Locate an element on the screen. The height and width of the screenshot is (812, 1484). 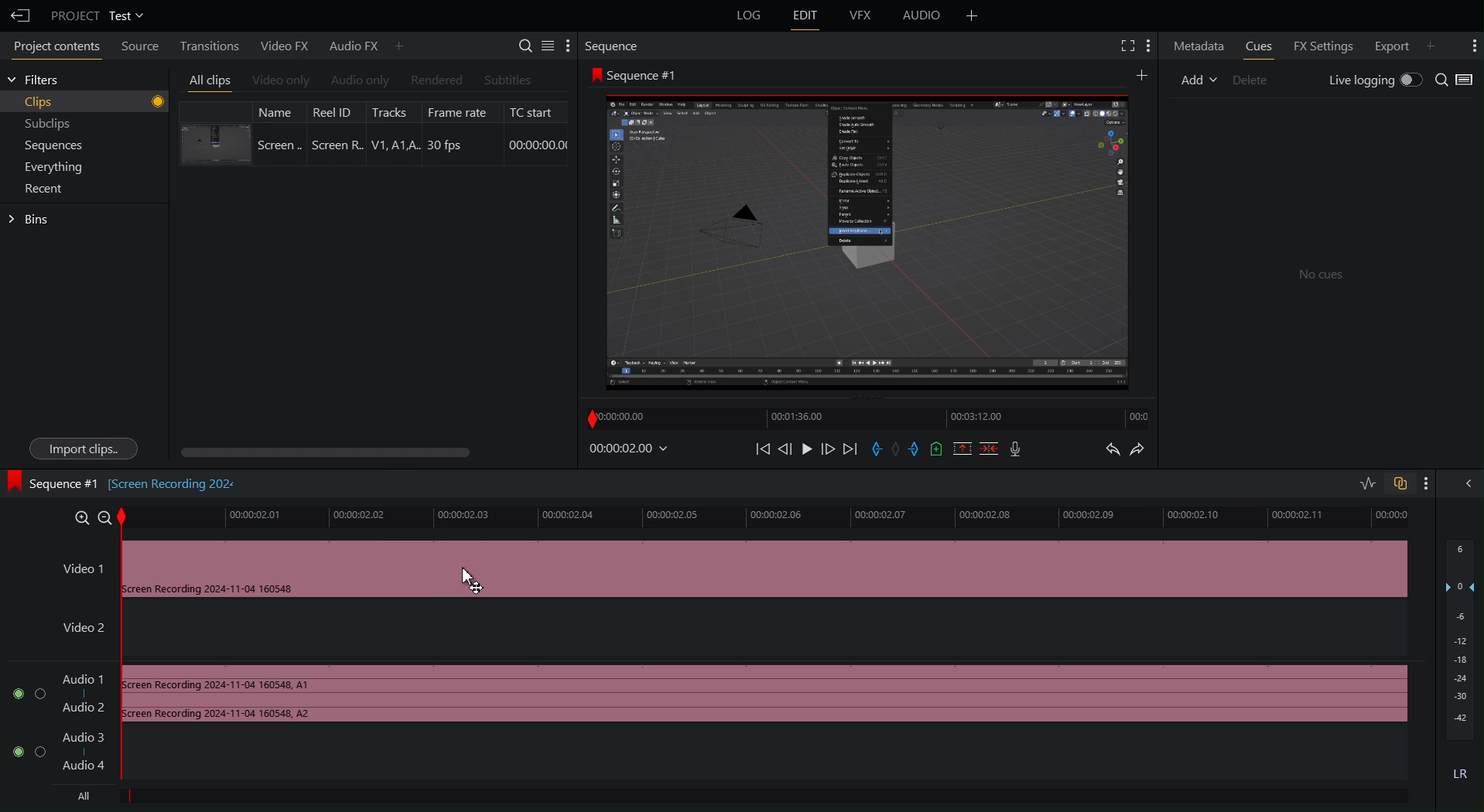
Toggle Auto Sync is located at coordinates (1400, 481).